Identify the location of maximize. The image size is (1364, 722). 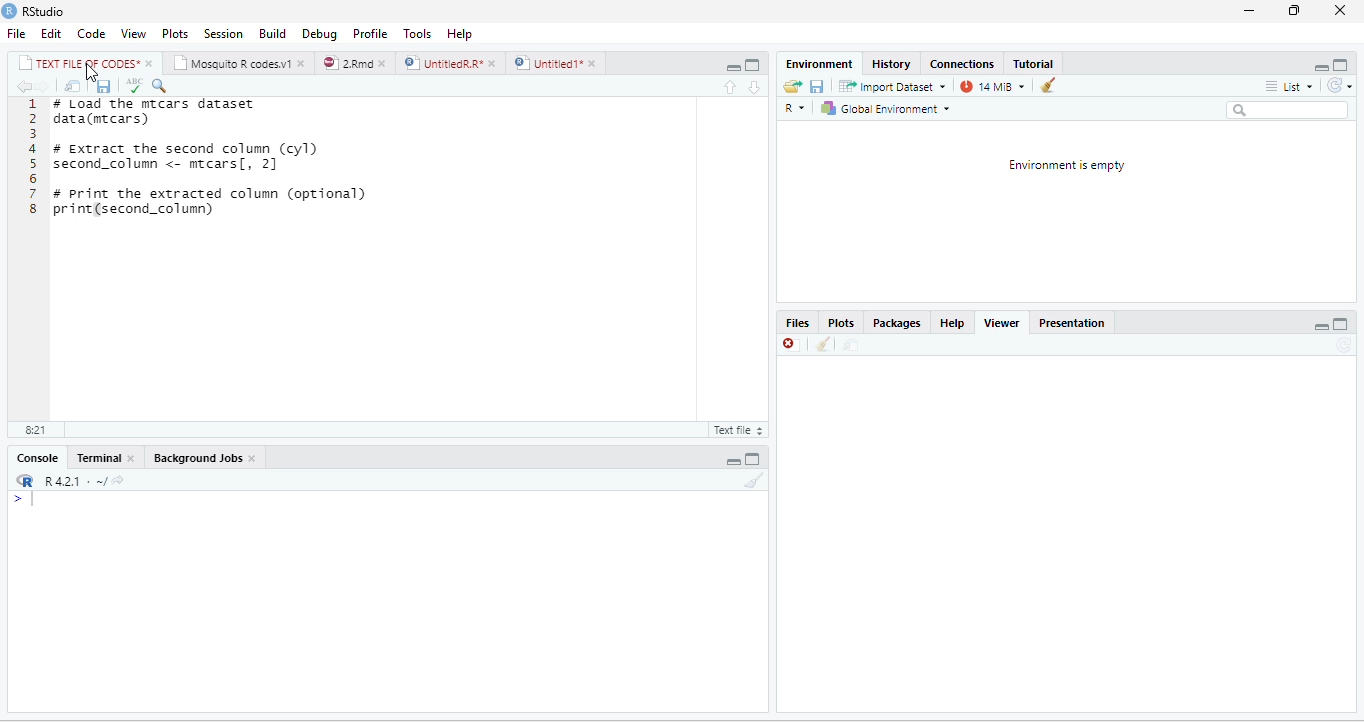
(735, 64).